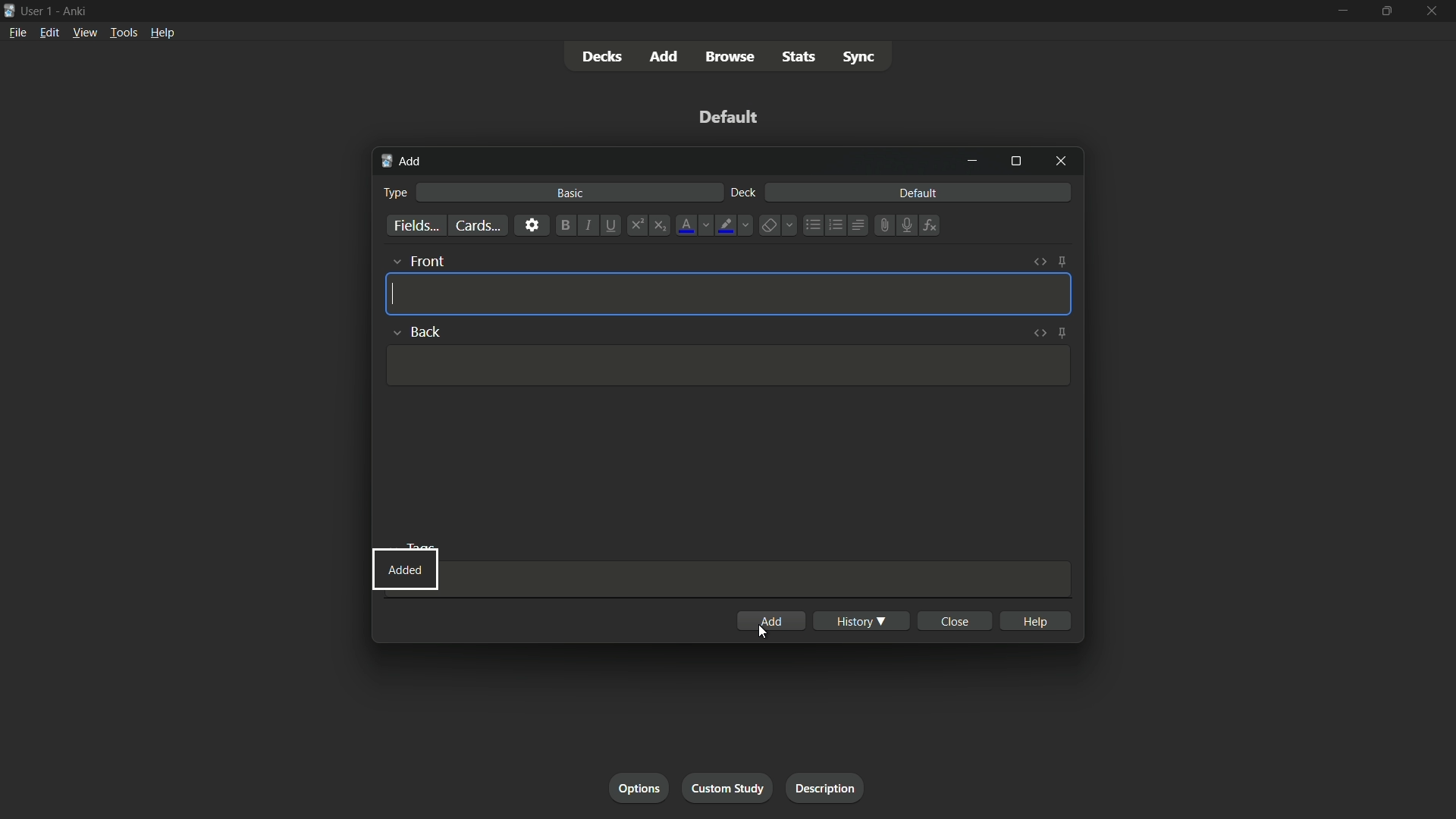 This screenshot has width=1456, height=819. What do you see at coordinates (903, 226) in the screenshot?
I see `record audio` at bounding box center [903, 226].